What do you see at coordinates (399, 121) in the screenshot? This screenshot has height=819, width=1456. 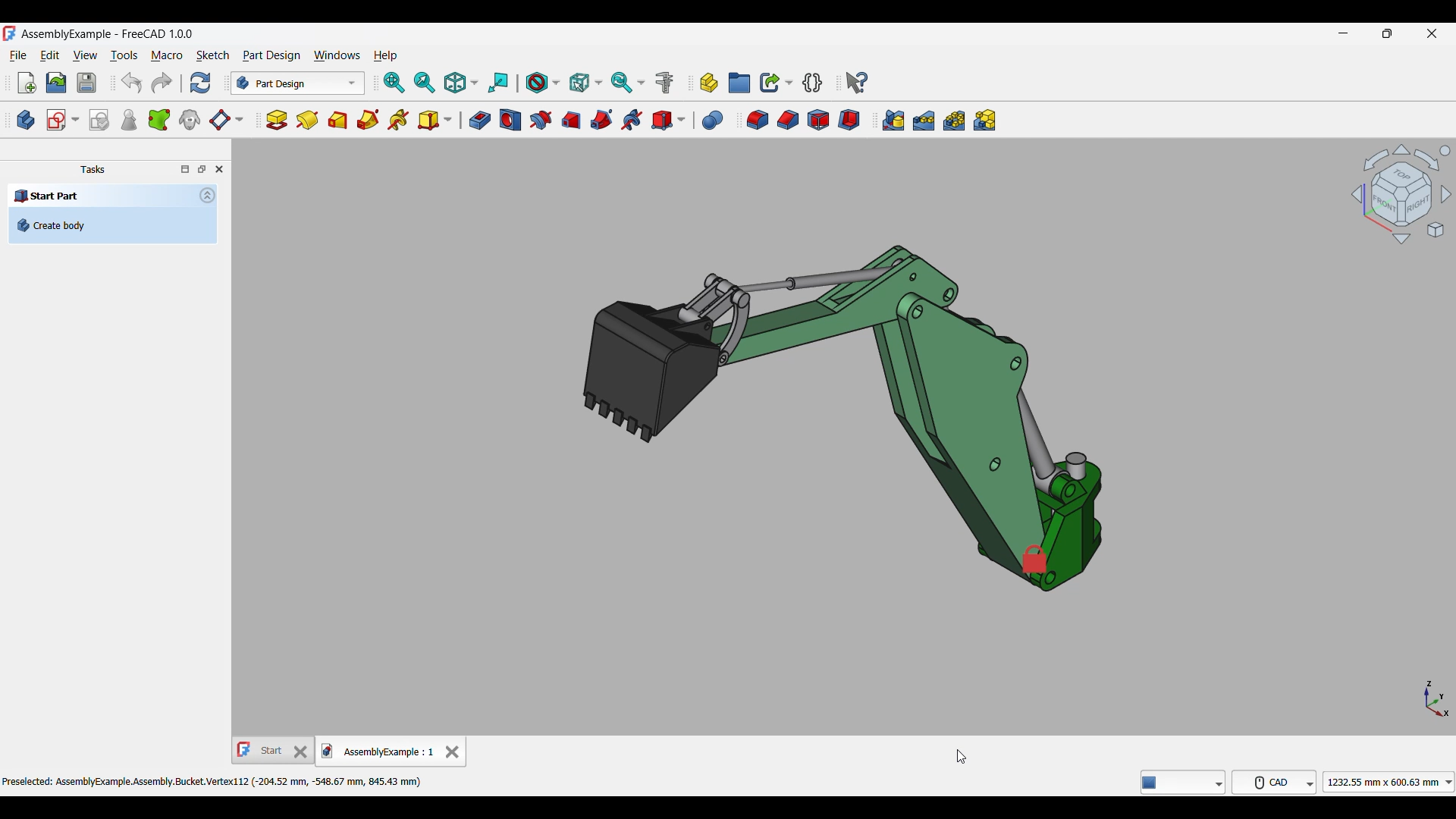 I see `Additive helix` at bounding box center [399, 121].